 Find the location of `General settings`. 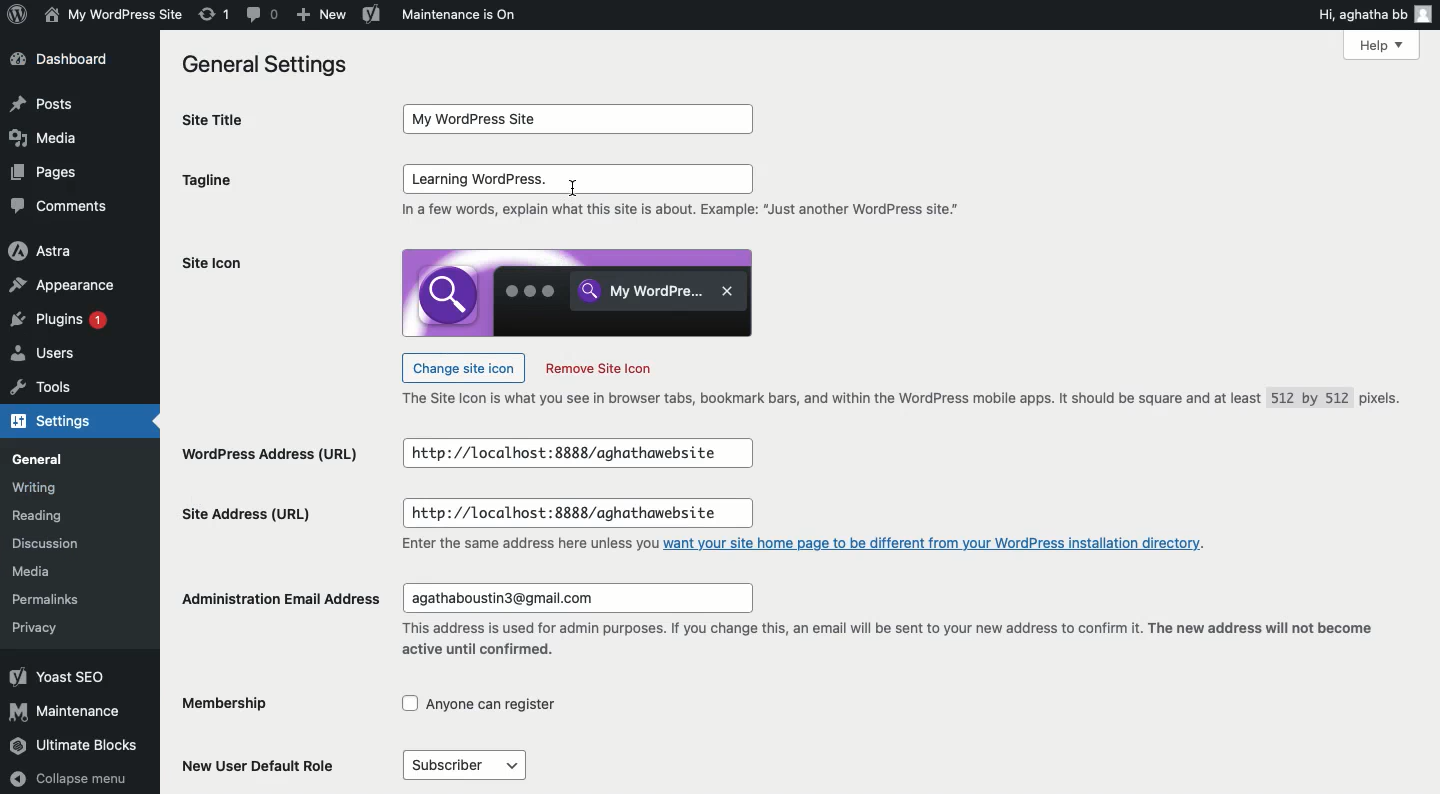

General settings is located at coordinates (272, 66).